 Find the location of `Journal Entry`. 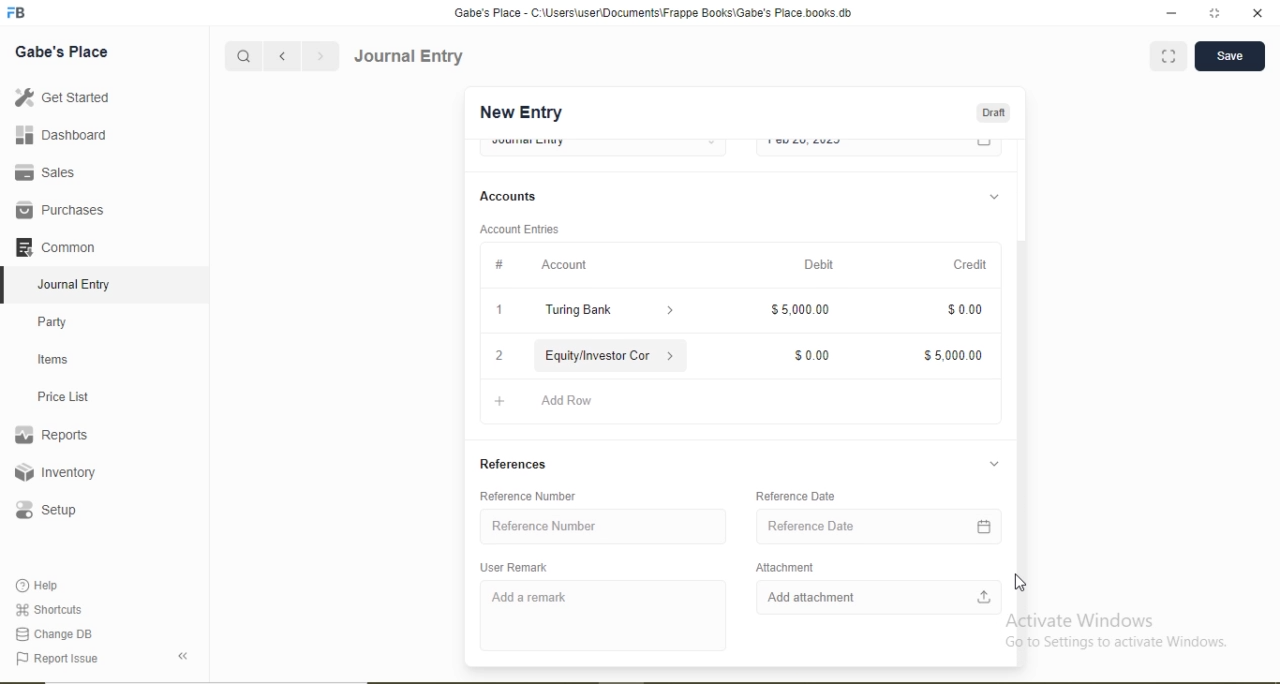

Journal Entry is located at coordinates (410, 56).